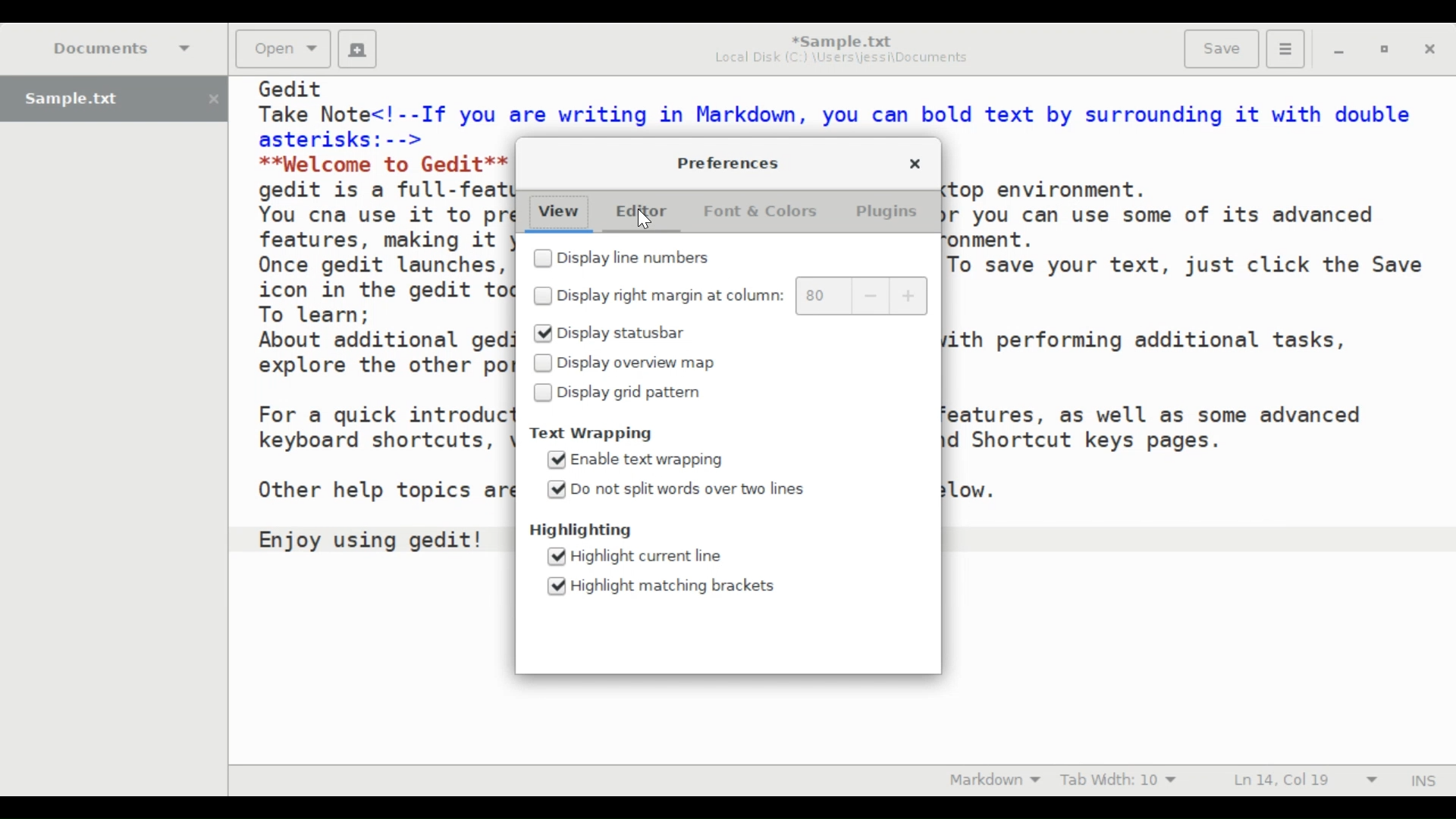 The image size is (1456, 819). I want to click on (un)select line numbers, so click(633, 259).